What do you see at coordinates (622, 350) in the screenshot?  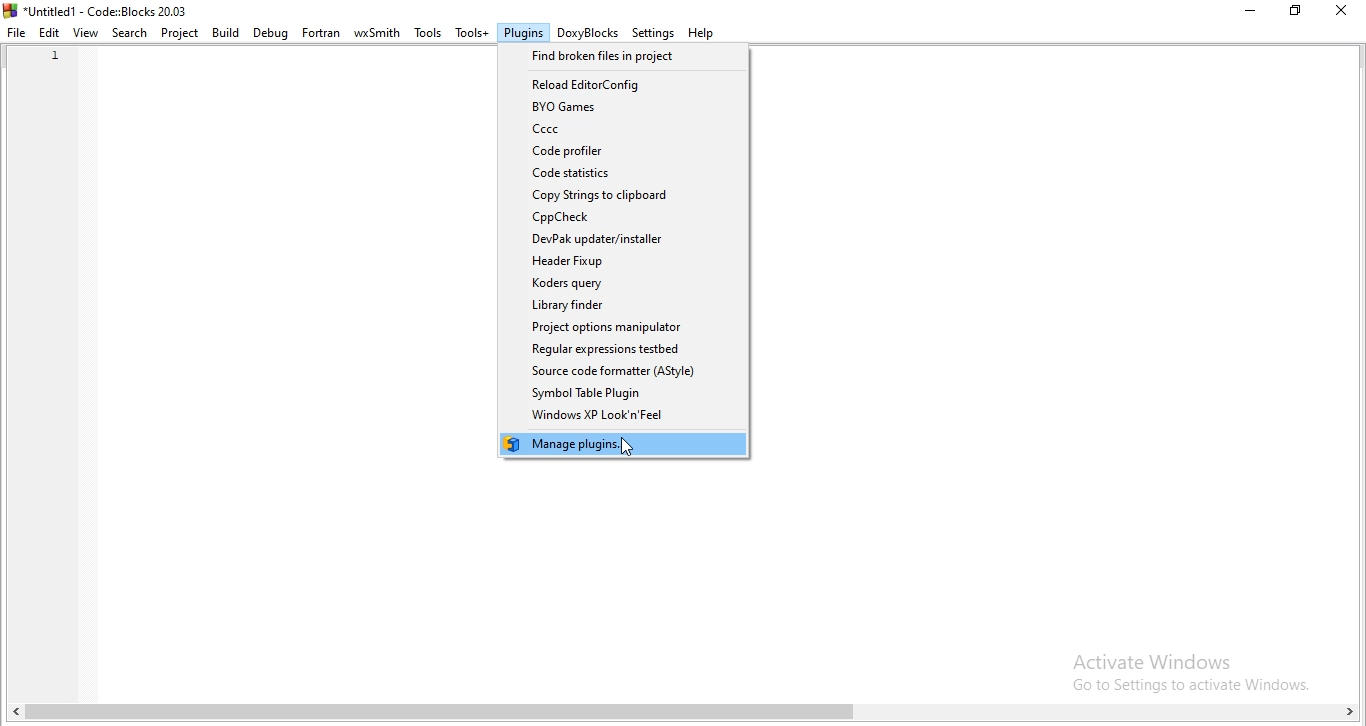 I see `Regular expressions testbed` at bounding box center [622, 350].